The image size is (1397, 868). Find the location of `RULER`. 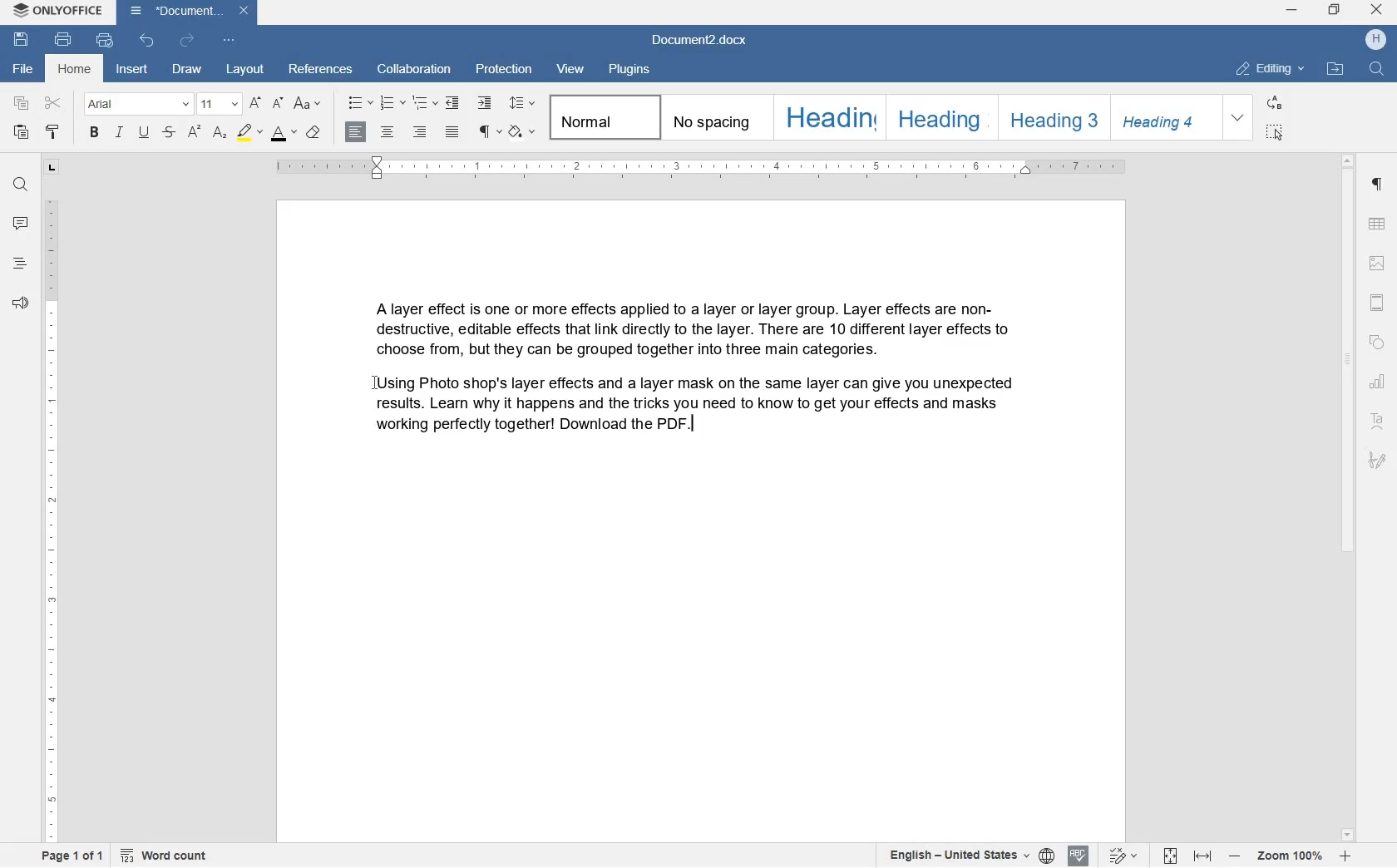

RULER is located at coordinates (713, 170).